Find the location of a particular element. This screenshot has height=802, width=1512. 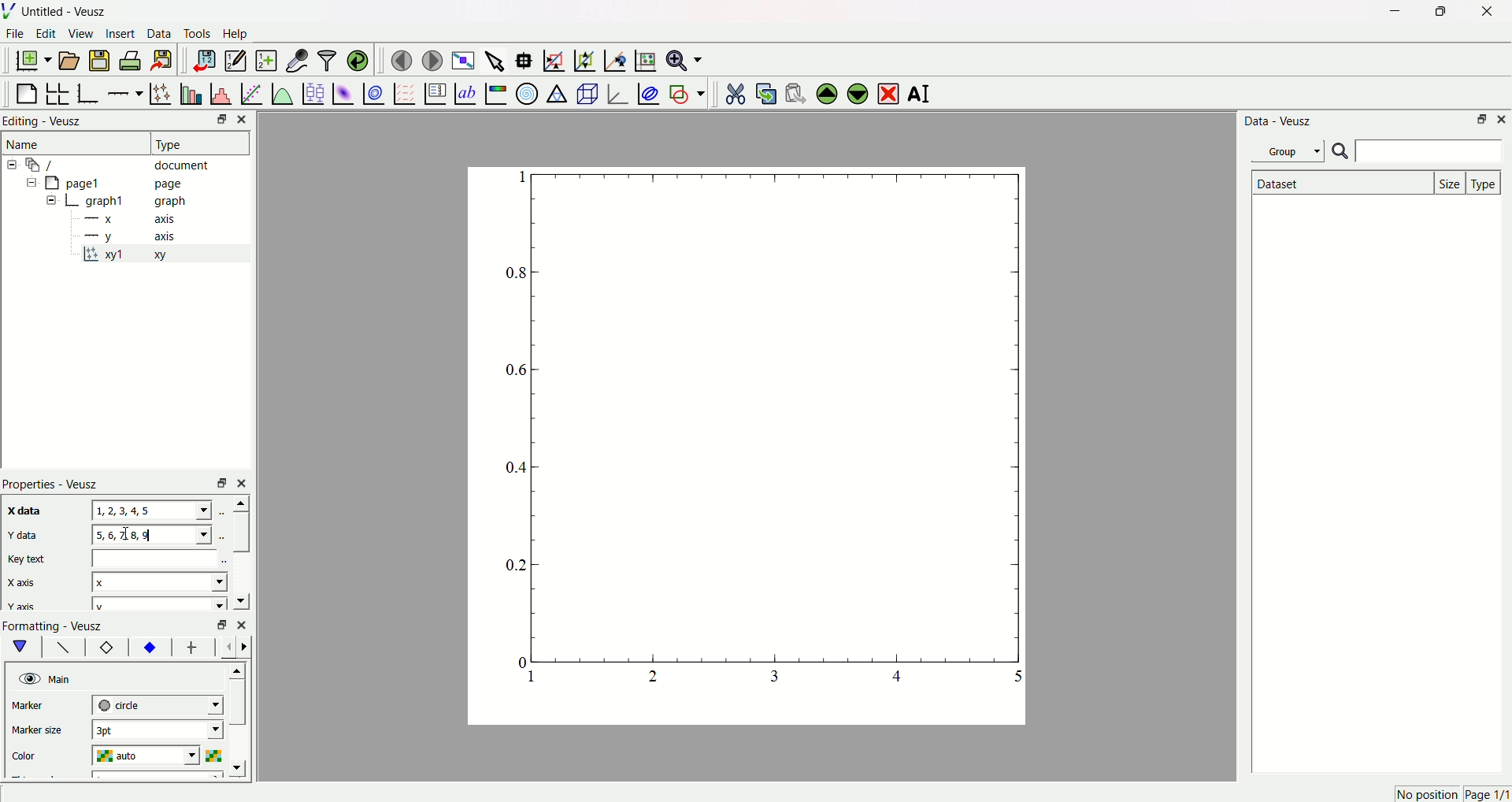

plot key is located at coordinates (434, 91).